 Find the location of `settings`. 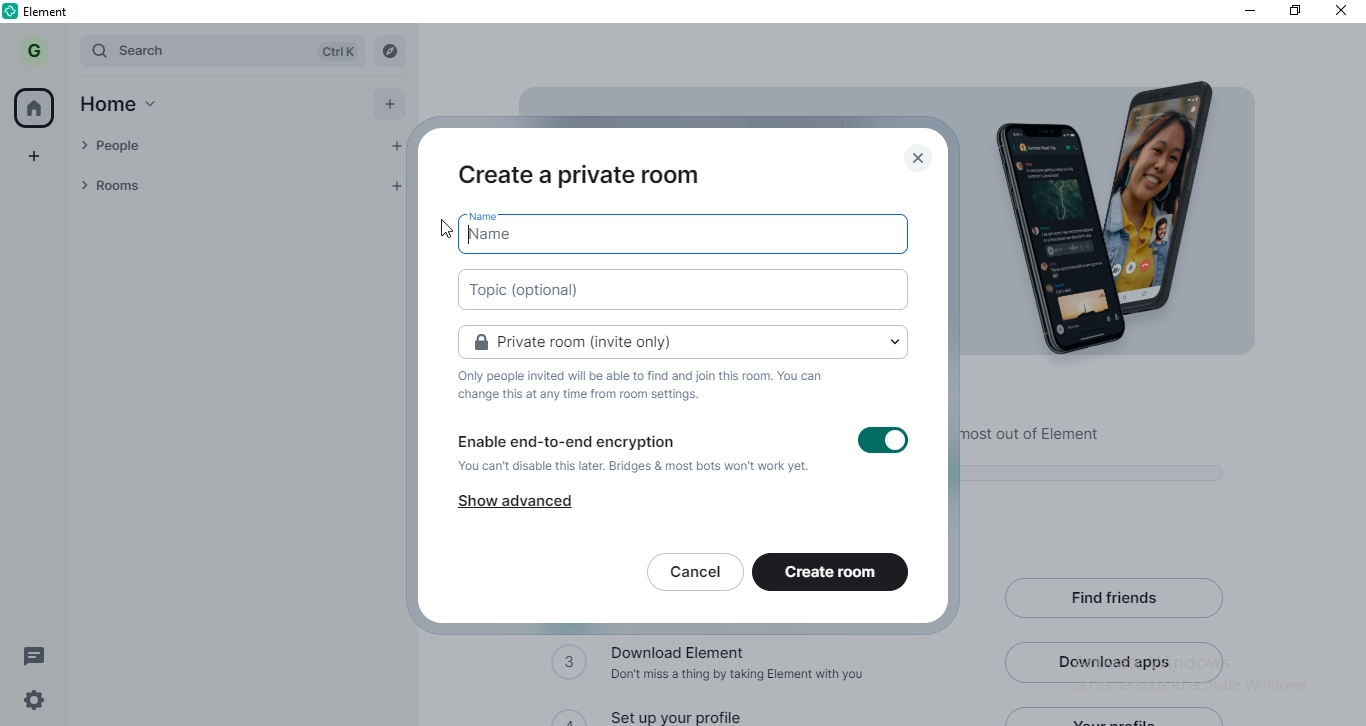

settings is located at coordinates (29, 704).